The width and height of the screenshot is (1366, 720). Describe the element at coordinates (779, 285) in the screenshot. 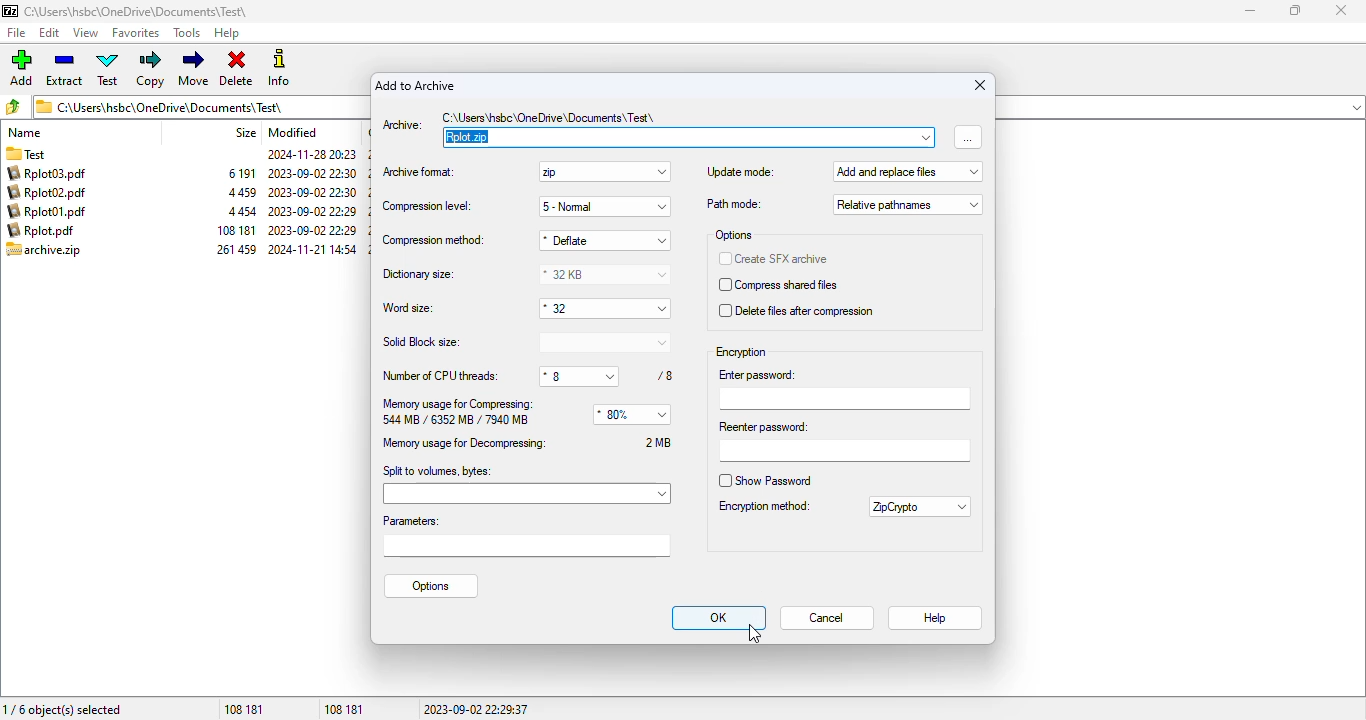

I see `compress shared files` at that location.